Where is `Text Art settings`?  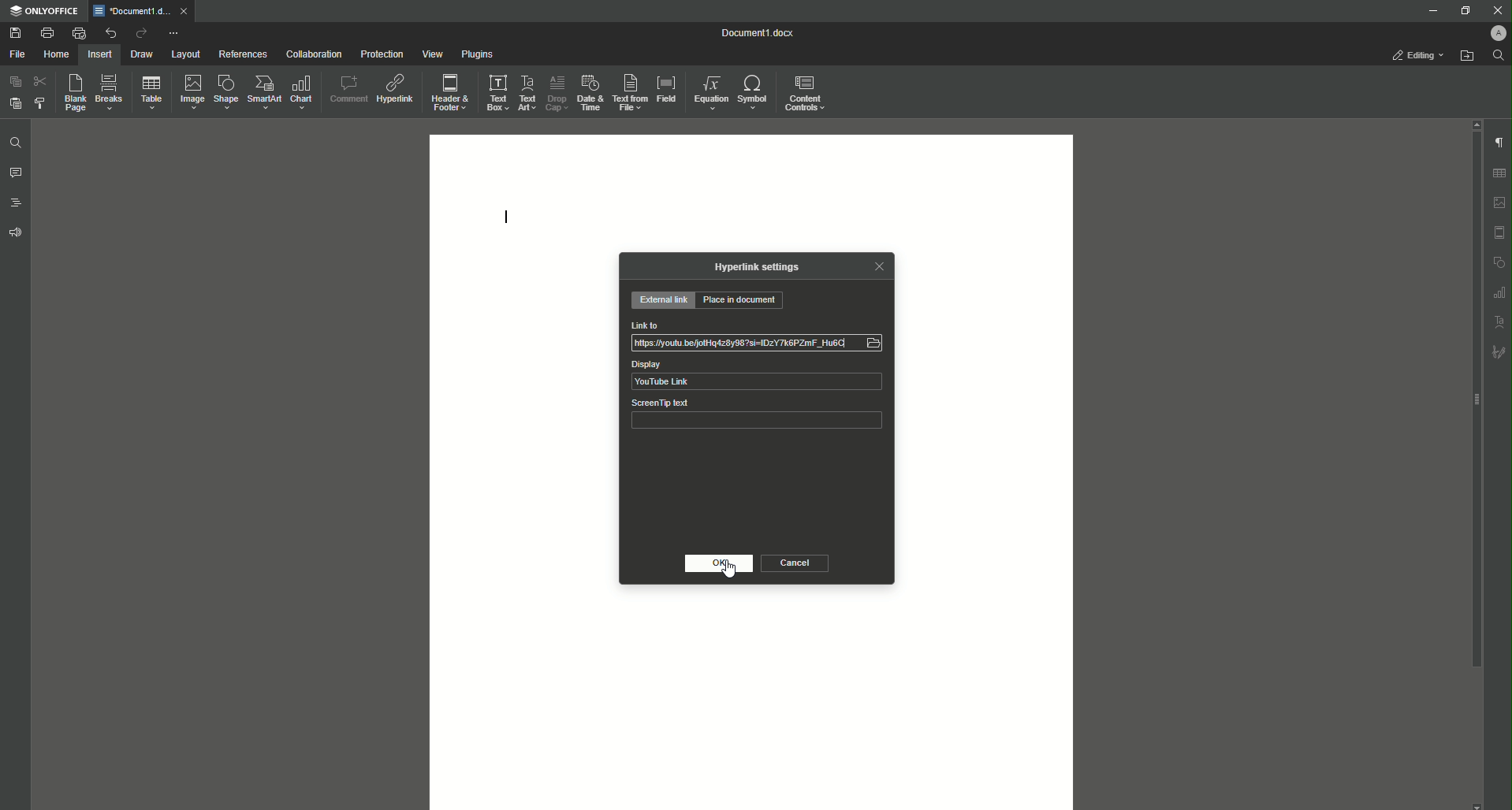 Text Art settings is located at coordinates (1500, 322).